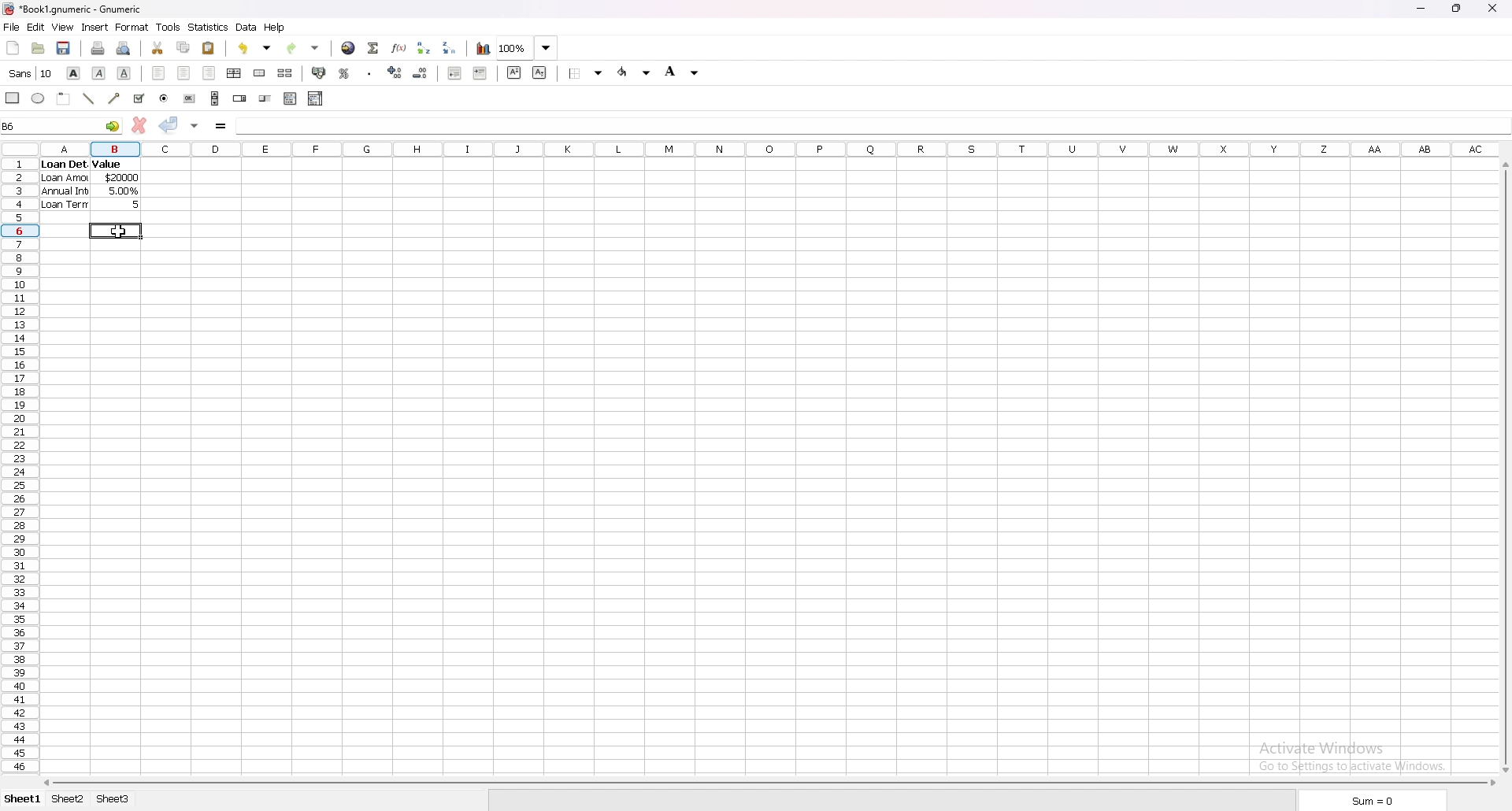 The width and height of the screenshot is (1512, 811). I want to click on sheet 2, so click(69, 799).